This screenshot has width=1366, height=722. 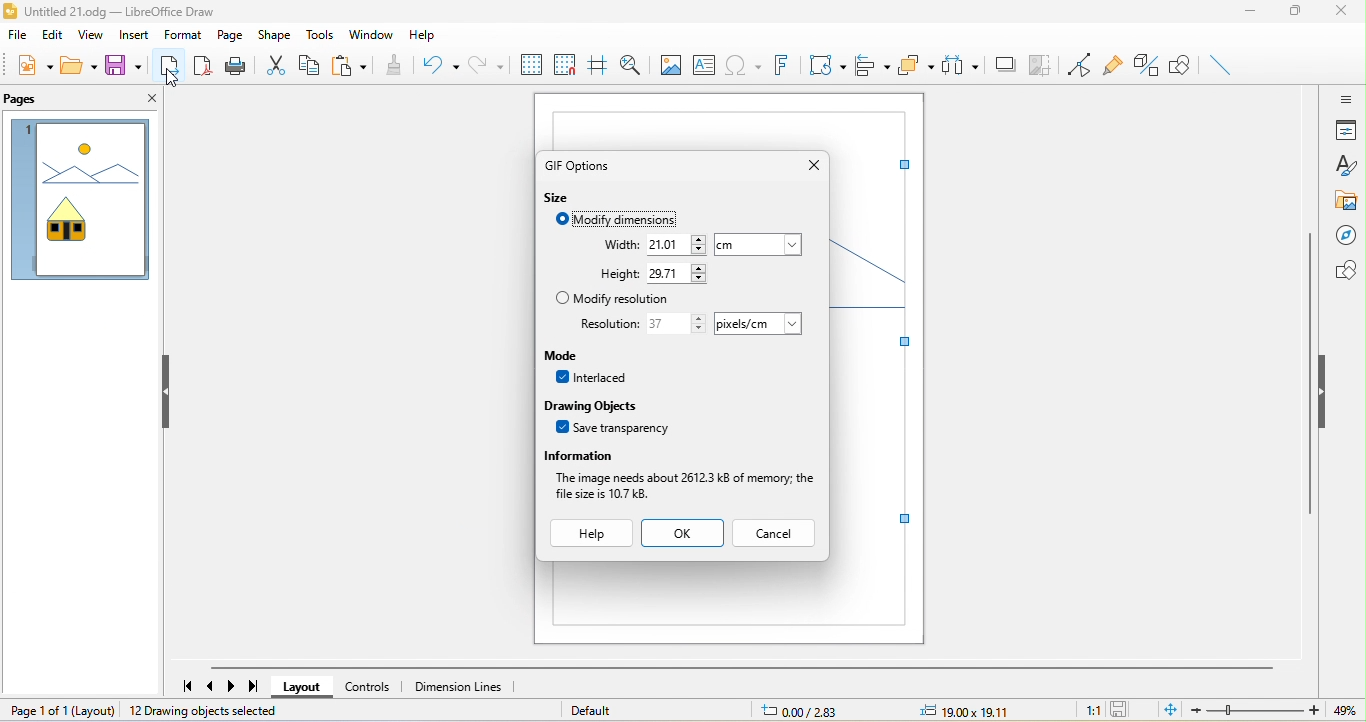 I want to click on paste, so click(x=350, y=64).